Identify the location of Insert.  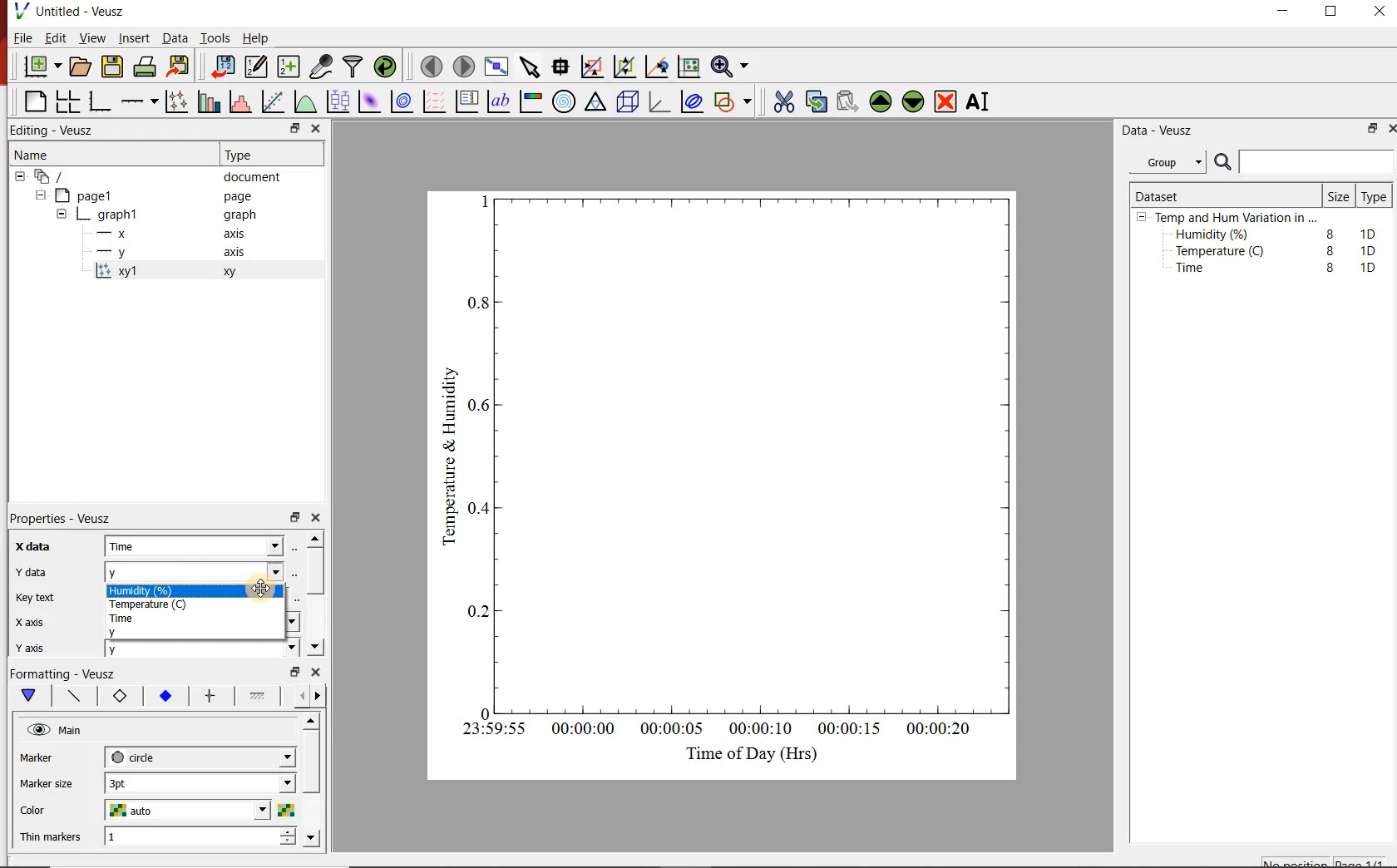
(131, 38).